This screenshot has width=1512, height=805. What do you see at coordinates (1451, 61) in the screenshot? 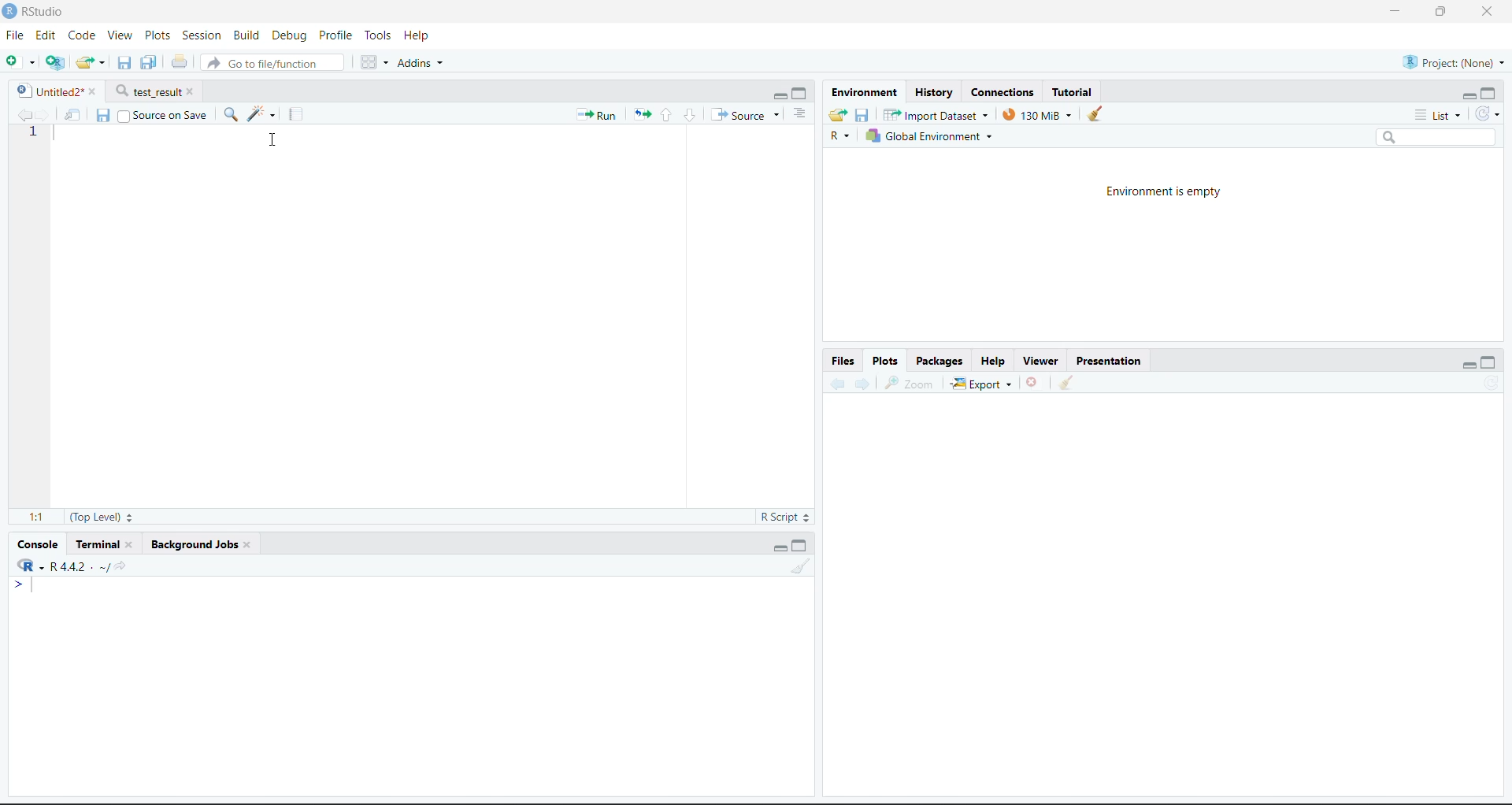
I see `Project (Note)` at bounding box center [1451, 61].